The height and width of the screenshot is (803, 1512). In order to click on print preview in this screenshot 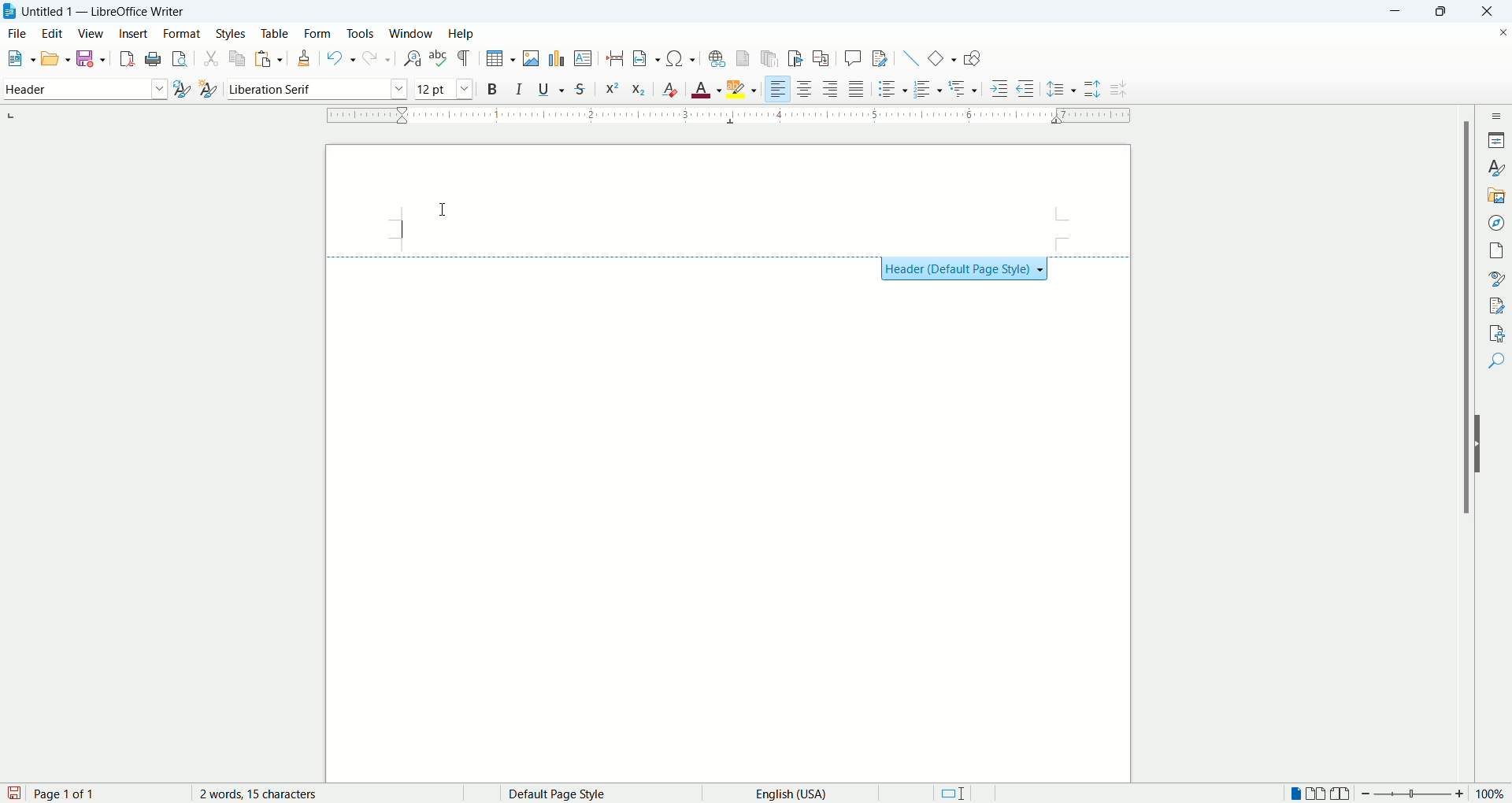, I will do `click(182, 58)`.